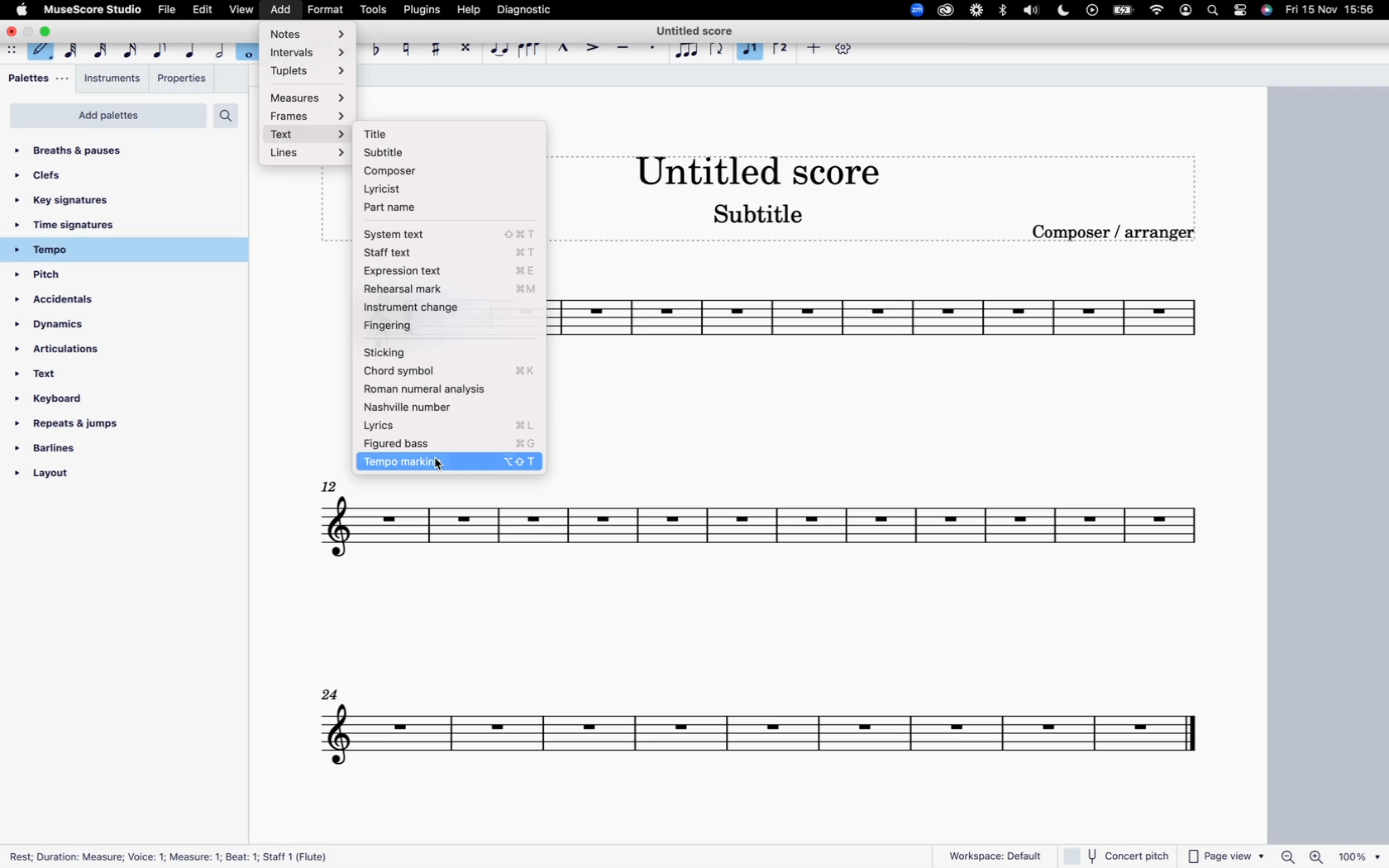  I want to click on lyrics, so click(456, 425).